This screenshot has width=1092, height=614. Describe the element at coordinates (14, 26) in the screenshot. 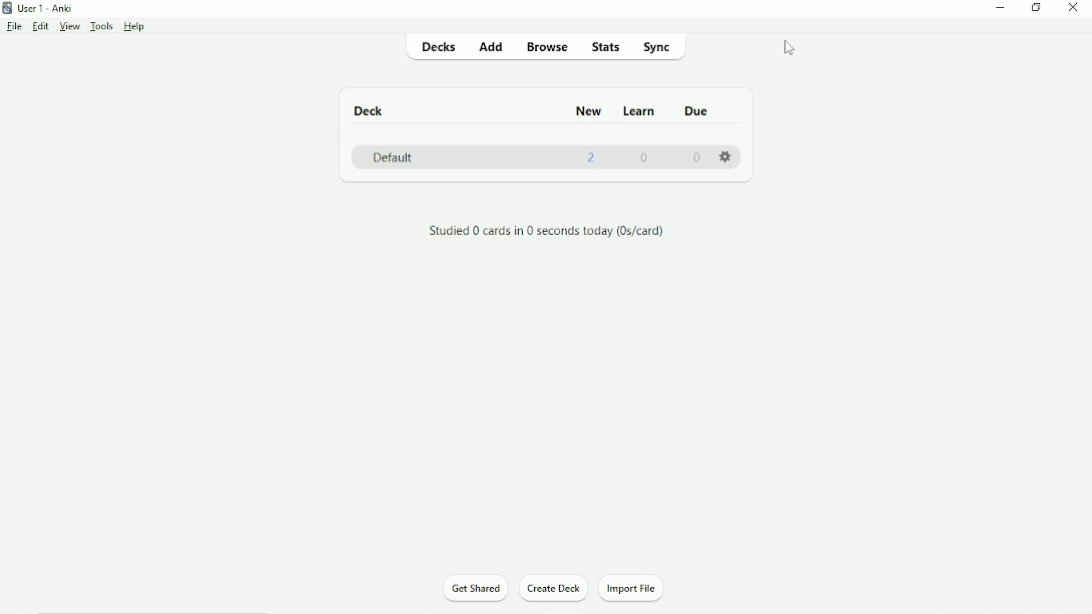

I see `File` at that location.